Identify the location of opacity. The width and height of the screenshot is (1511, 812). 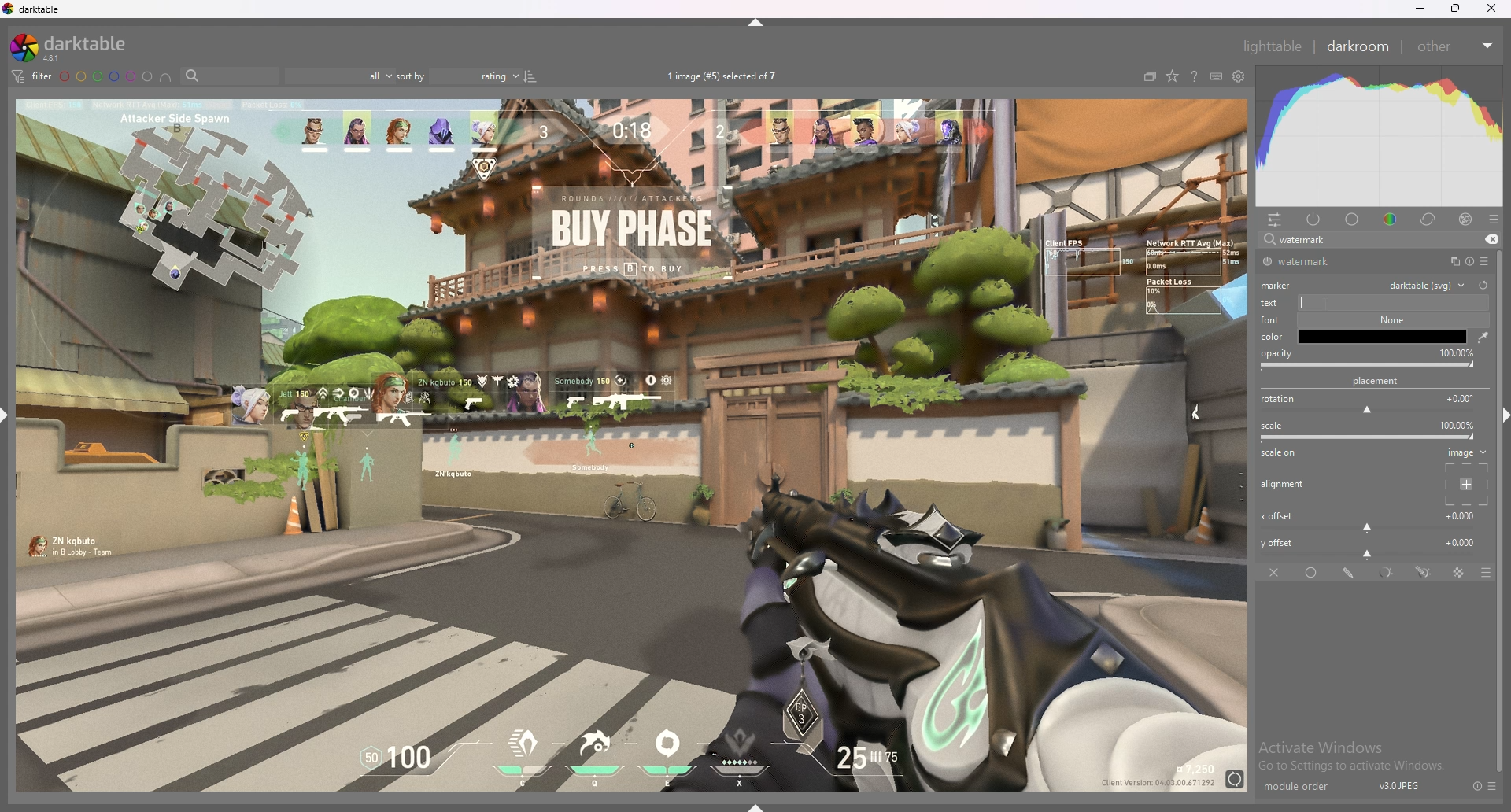
(1369, 359).